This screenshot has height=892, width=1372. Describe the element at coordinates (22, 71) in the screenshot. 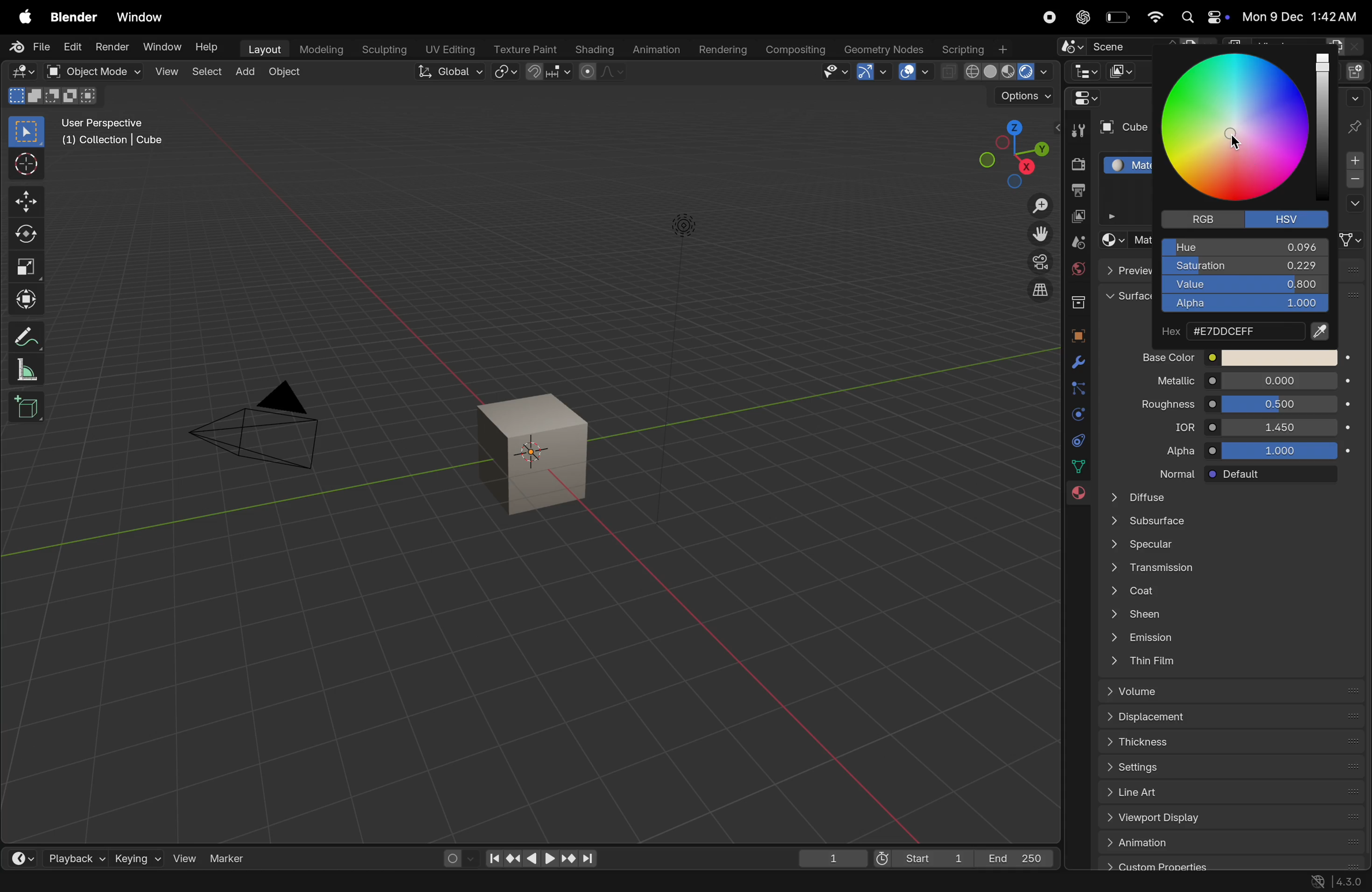

I see `editor type` at that location.